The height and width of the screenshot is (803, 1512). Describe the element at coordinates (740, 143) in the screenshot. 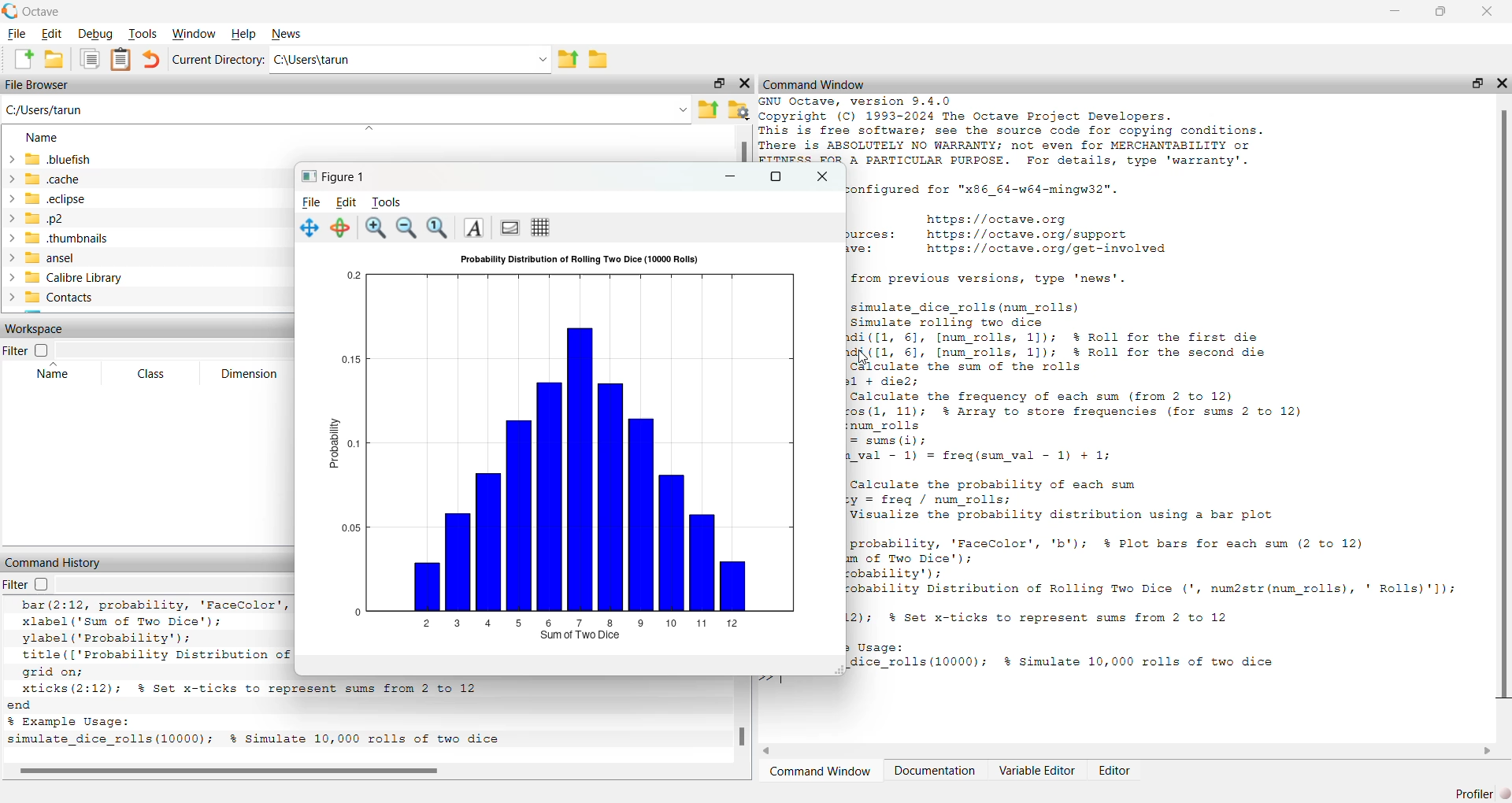

I see `scroll bar` at that location.